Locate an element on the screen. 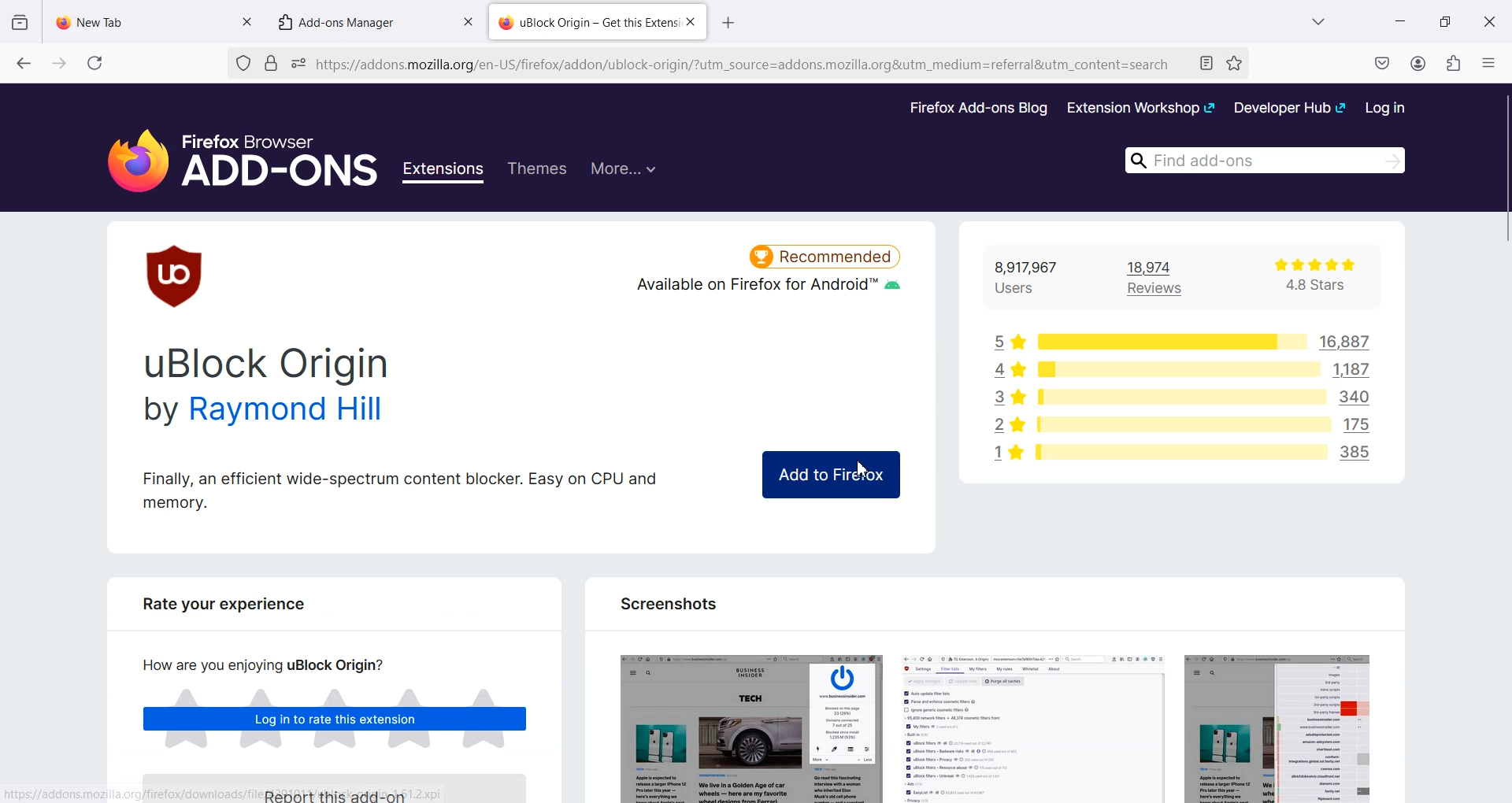 This screenshot has width=1512, height=803. Extension Workshop is located at coordinates (1140, 108).